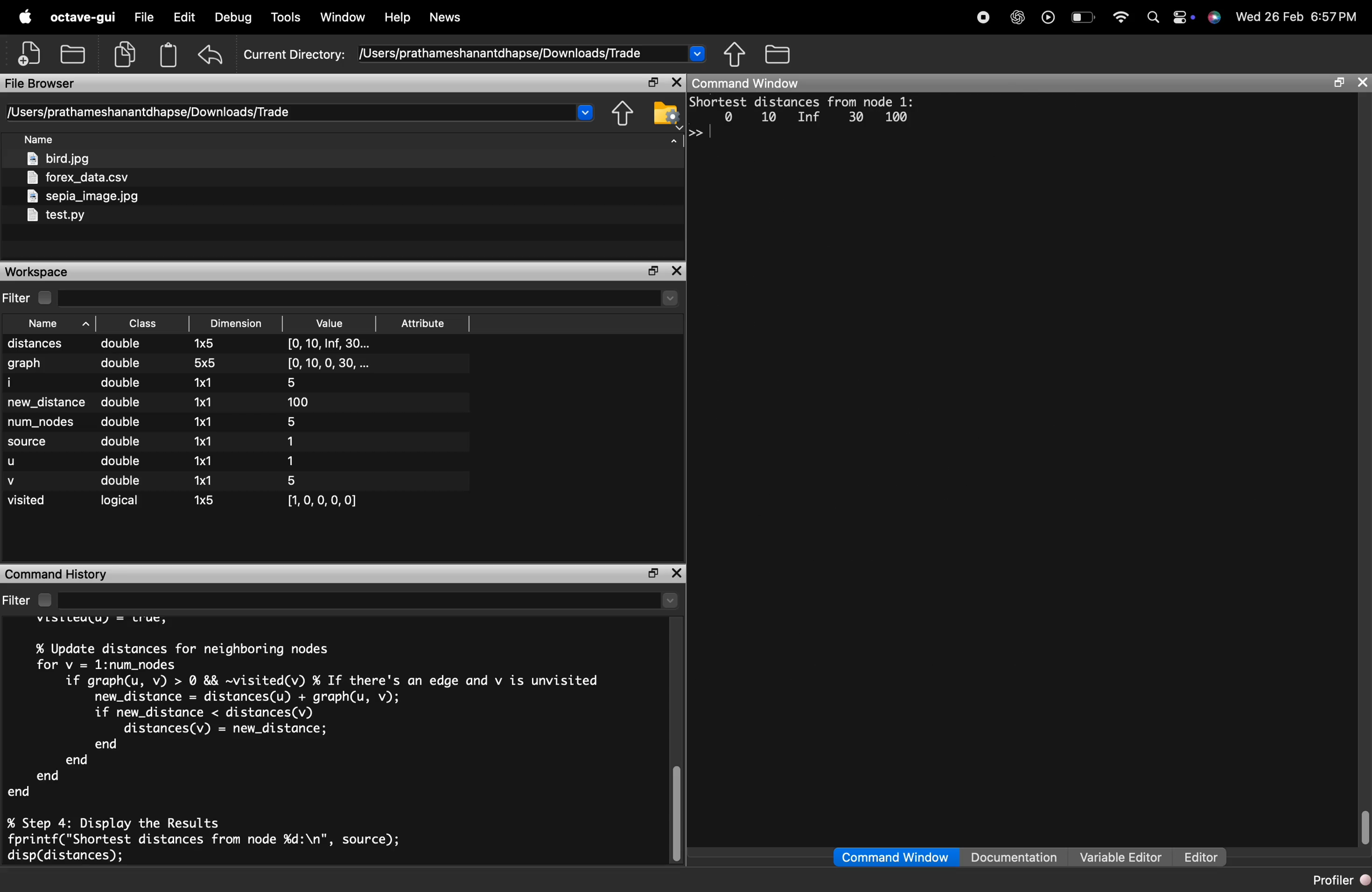 This screenshot has width=1372, height=892. Describe the element at coordinates (1121, 857) in the screenshot. I see `variable editor` at that location.